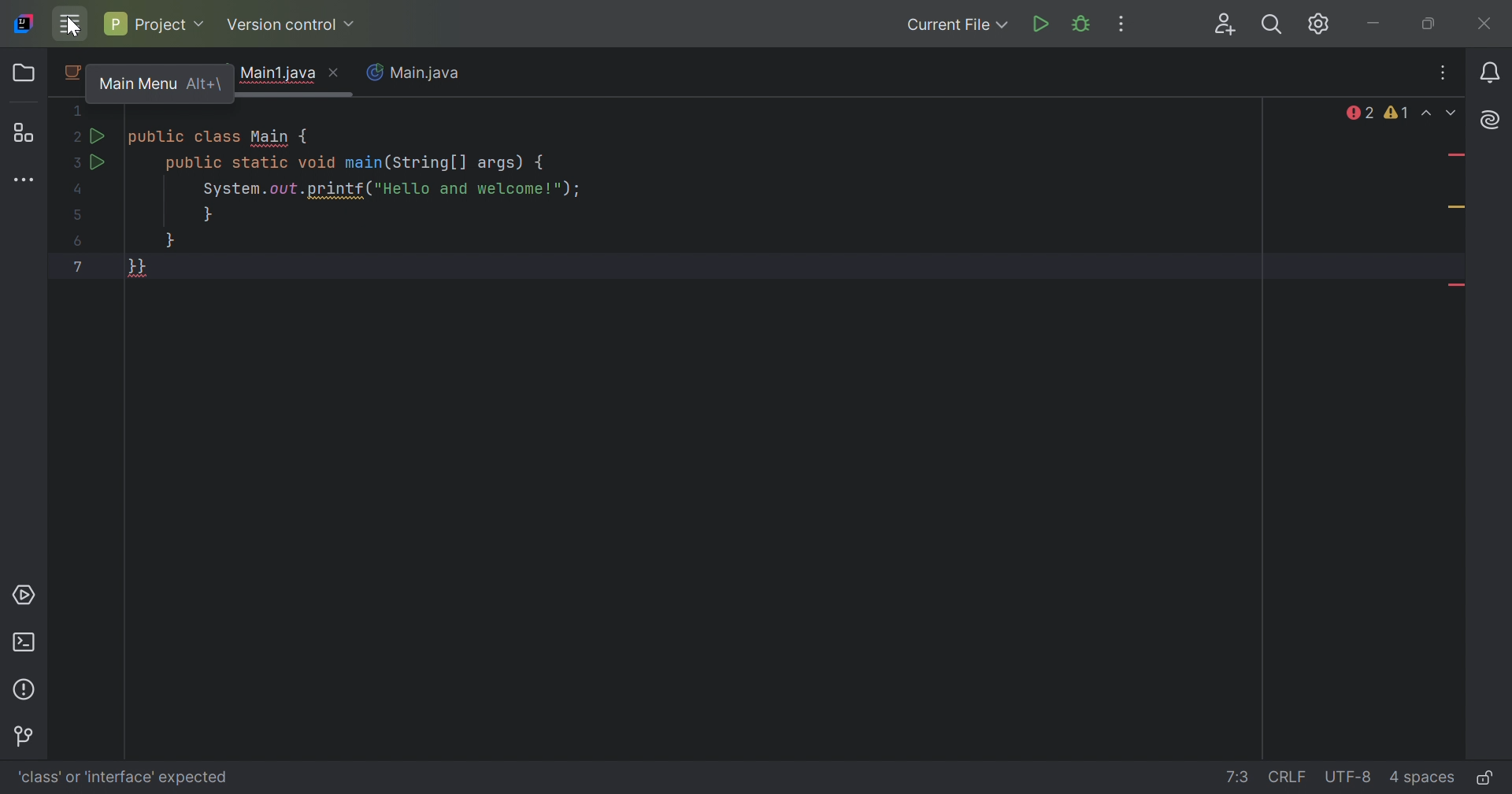 This screenshot has height=794, width=1512. I want to click on MainMenu, so click(122, 78).